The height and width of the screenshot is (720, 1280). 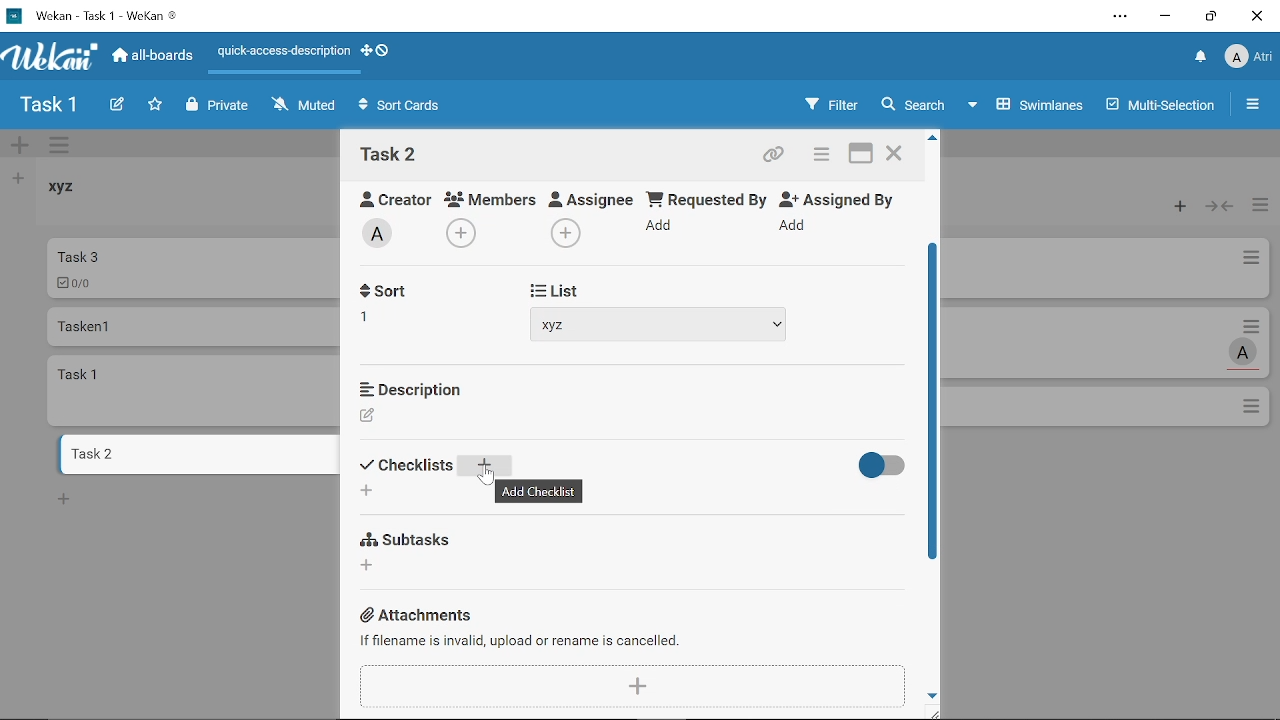 I want to click on Current window, so click(x=92, y=14).